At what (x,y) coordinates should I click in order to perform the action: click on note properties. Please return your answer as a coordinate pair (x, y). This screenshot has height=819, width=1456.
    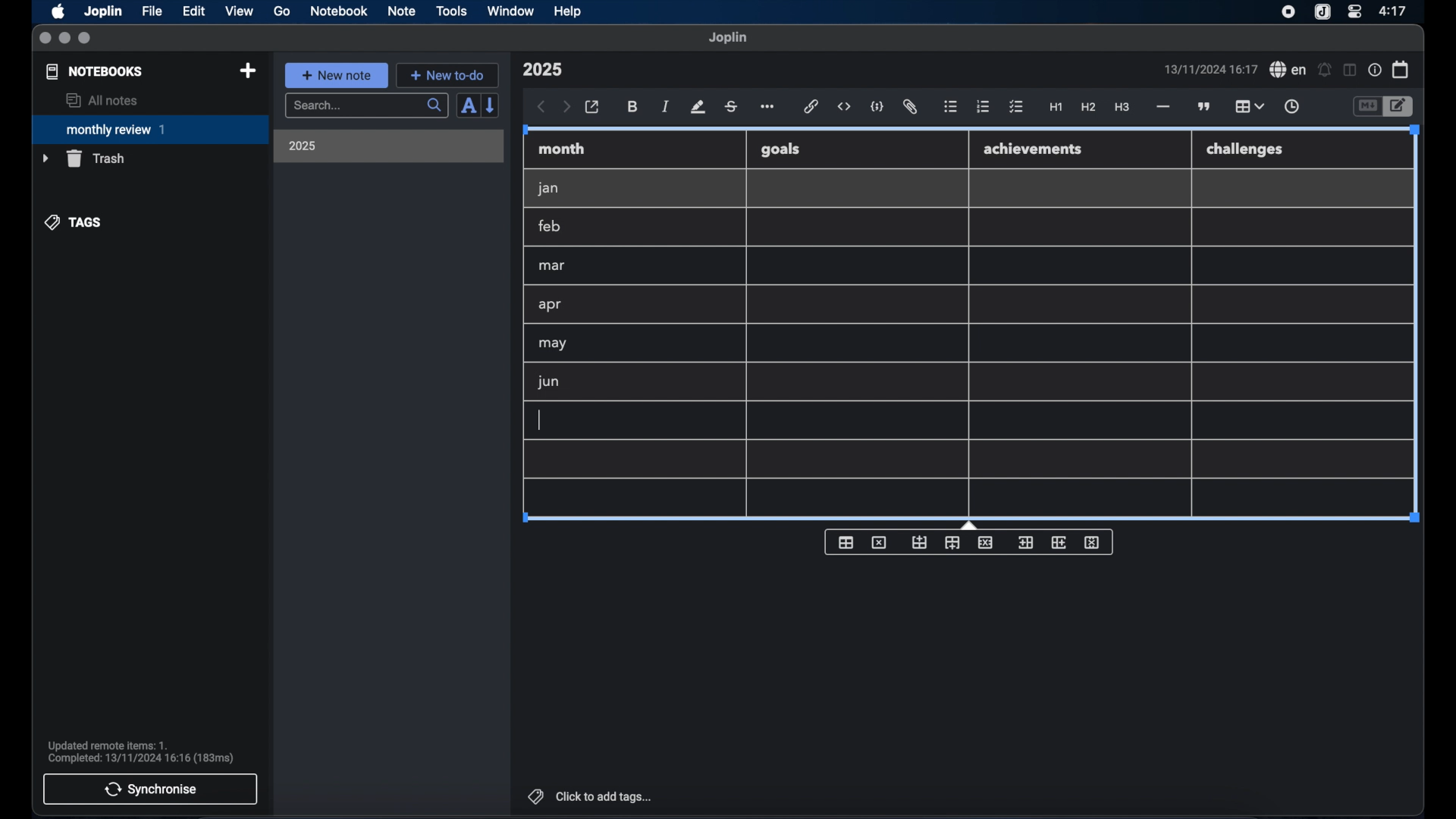
    Looking at the image, I should click on (1375, 71).